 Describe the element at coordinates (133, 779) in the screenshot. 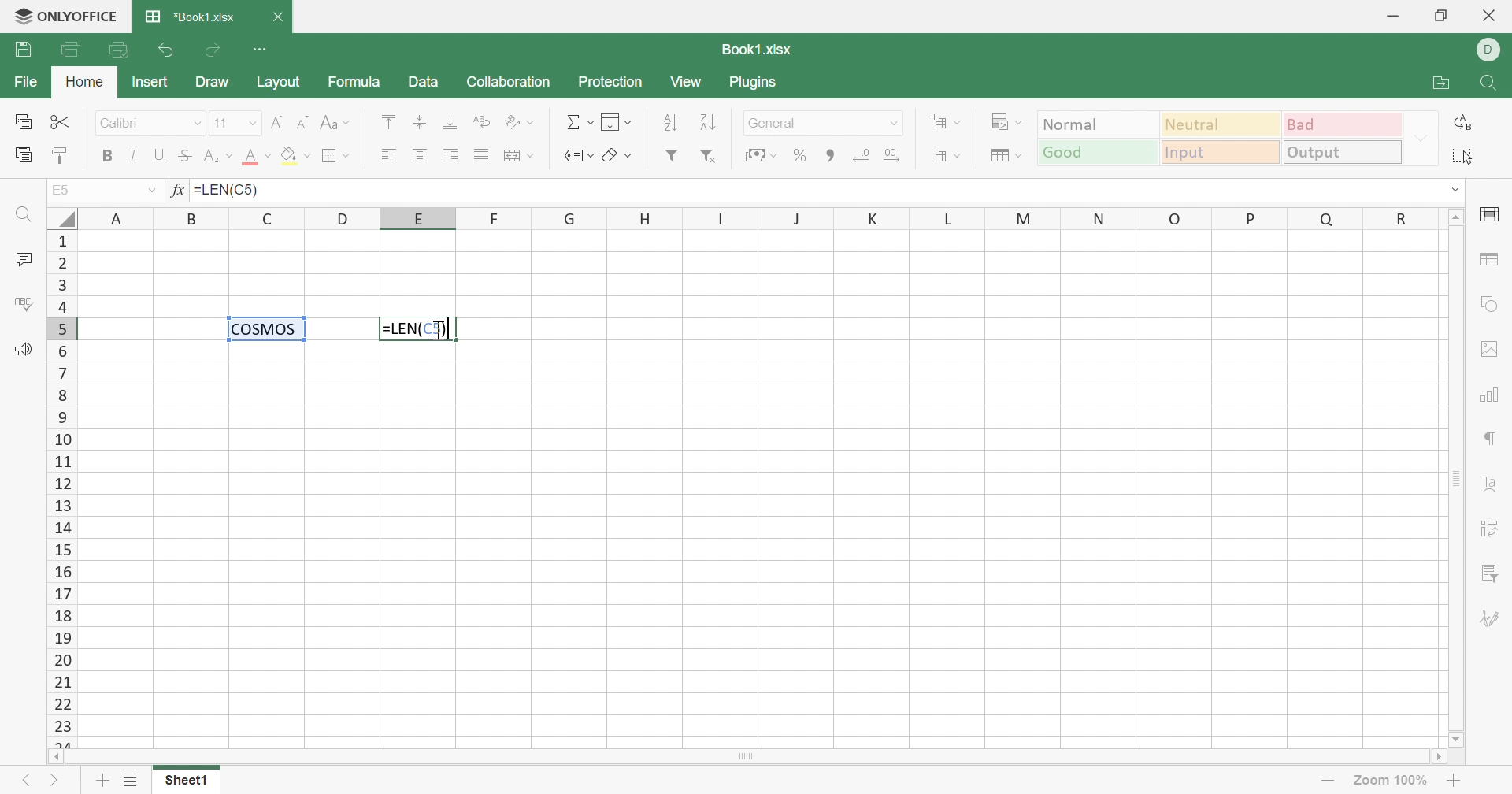

I see `List of sheets` at that location.